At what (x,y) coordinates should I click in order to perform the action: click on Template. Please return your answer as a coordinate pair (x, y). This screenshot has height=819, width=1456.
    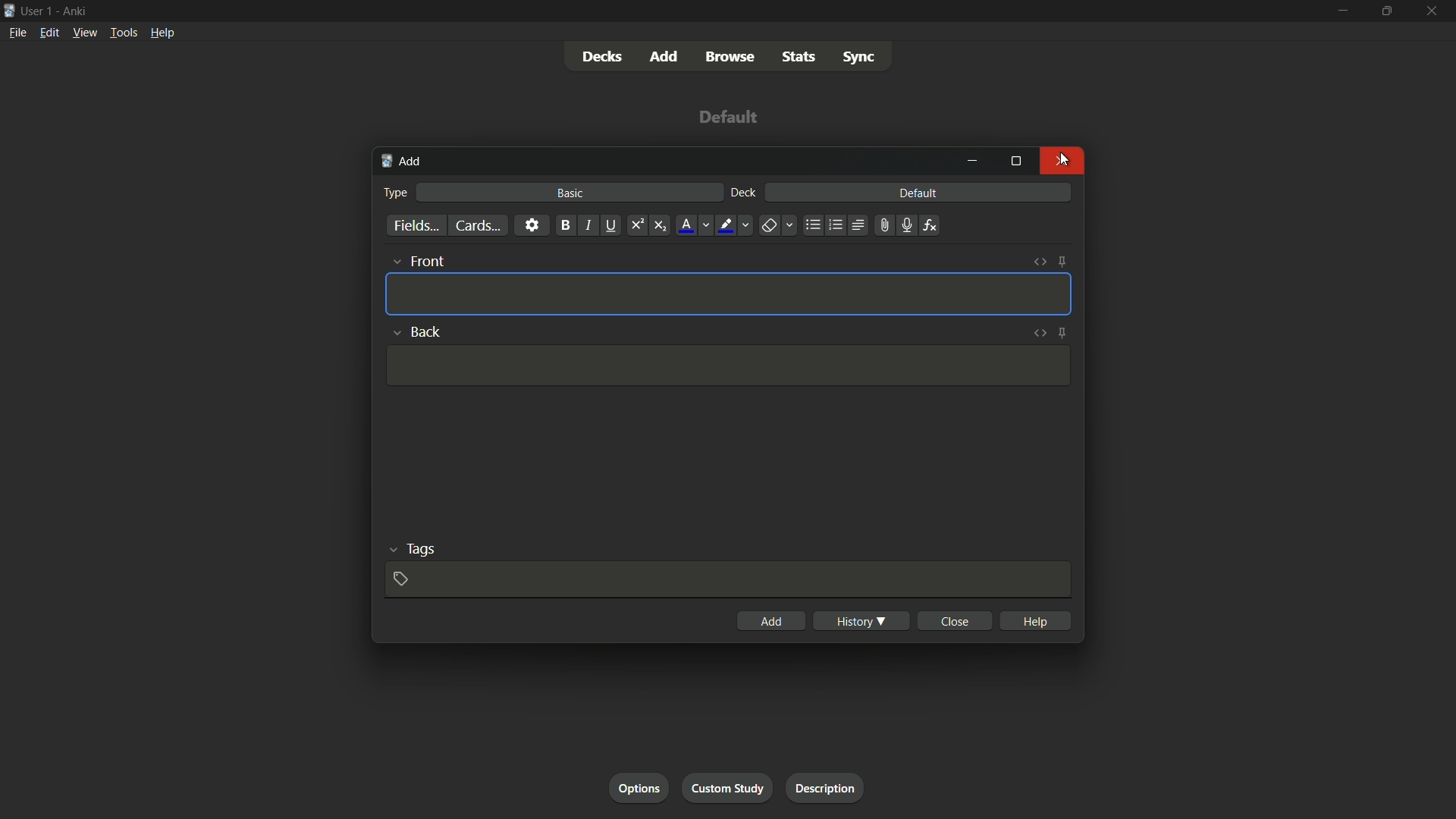
    Looking at the image, I should click on (726, 365).